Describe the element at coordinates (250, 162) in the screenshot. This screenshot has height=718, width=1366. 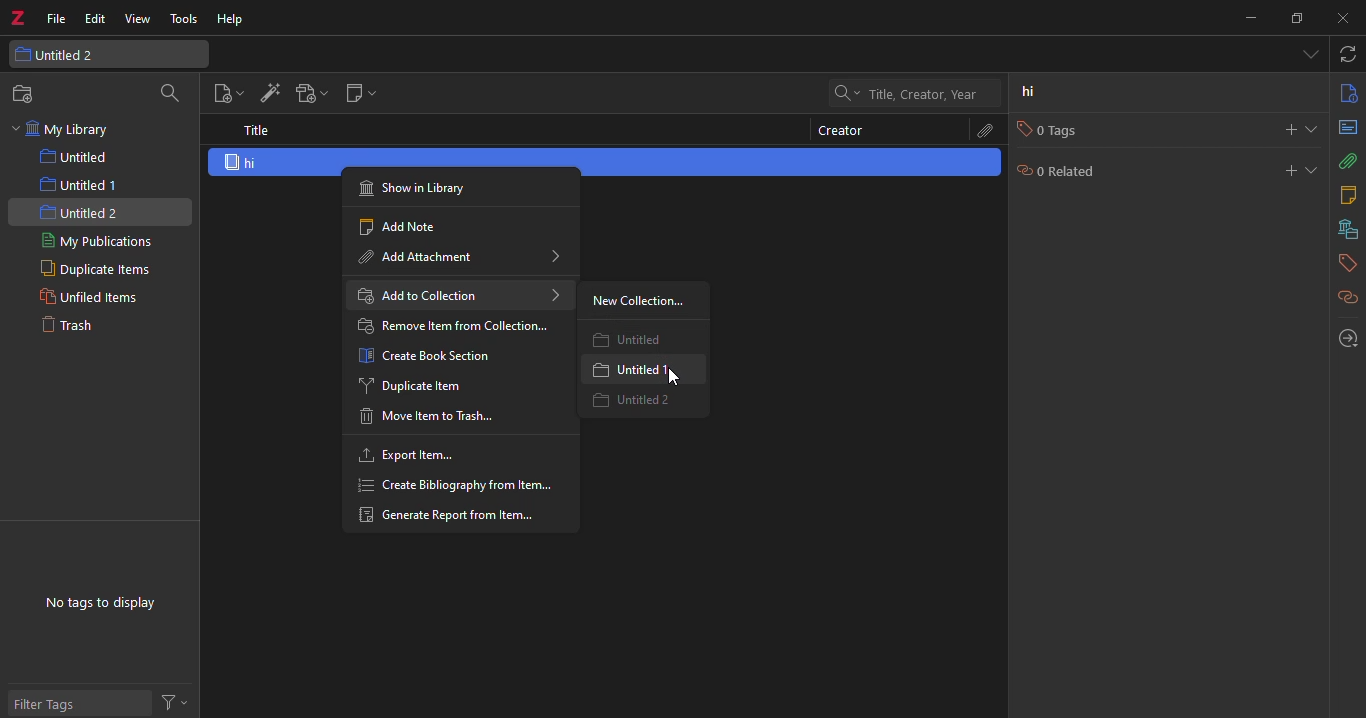
I see `hi` at that location.